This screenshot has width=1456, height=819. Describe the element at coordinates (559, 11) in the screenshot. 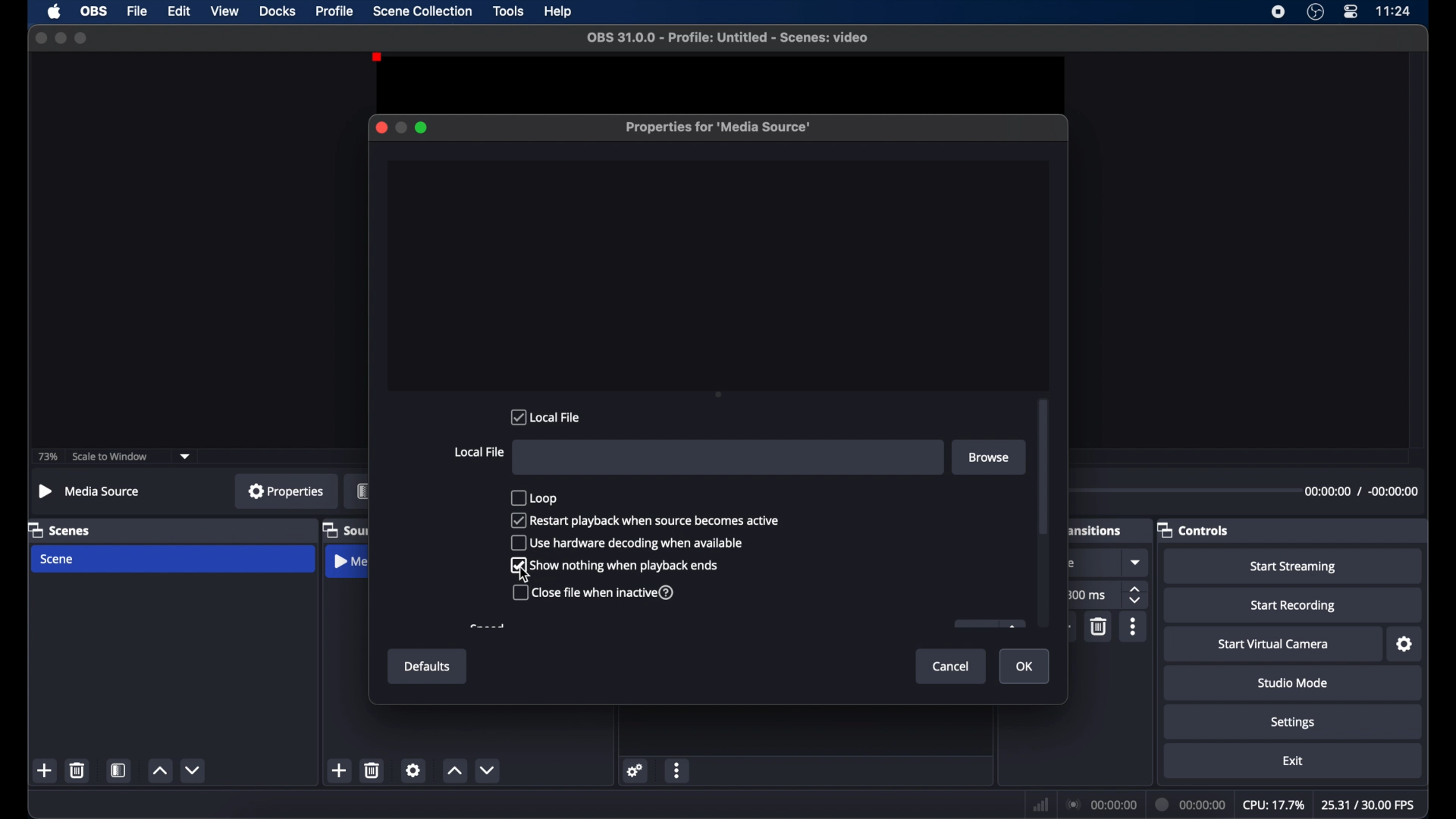

I see `help` at that location.